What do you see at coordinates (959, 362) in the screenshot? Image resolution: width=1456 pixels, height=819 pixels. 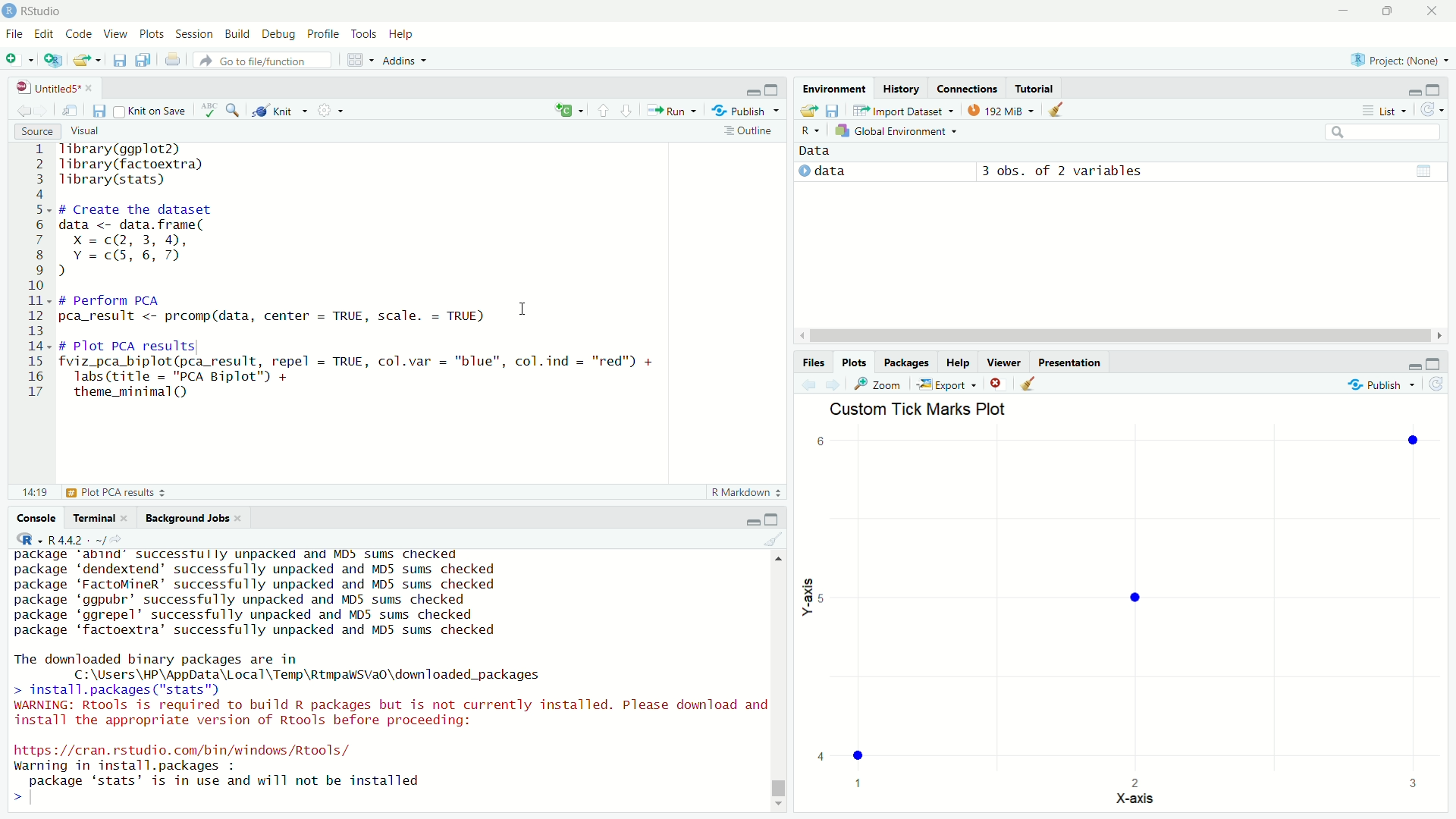 I see `Help` at bounding box center [959, 362].